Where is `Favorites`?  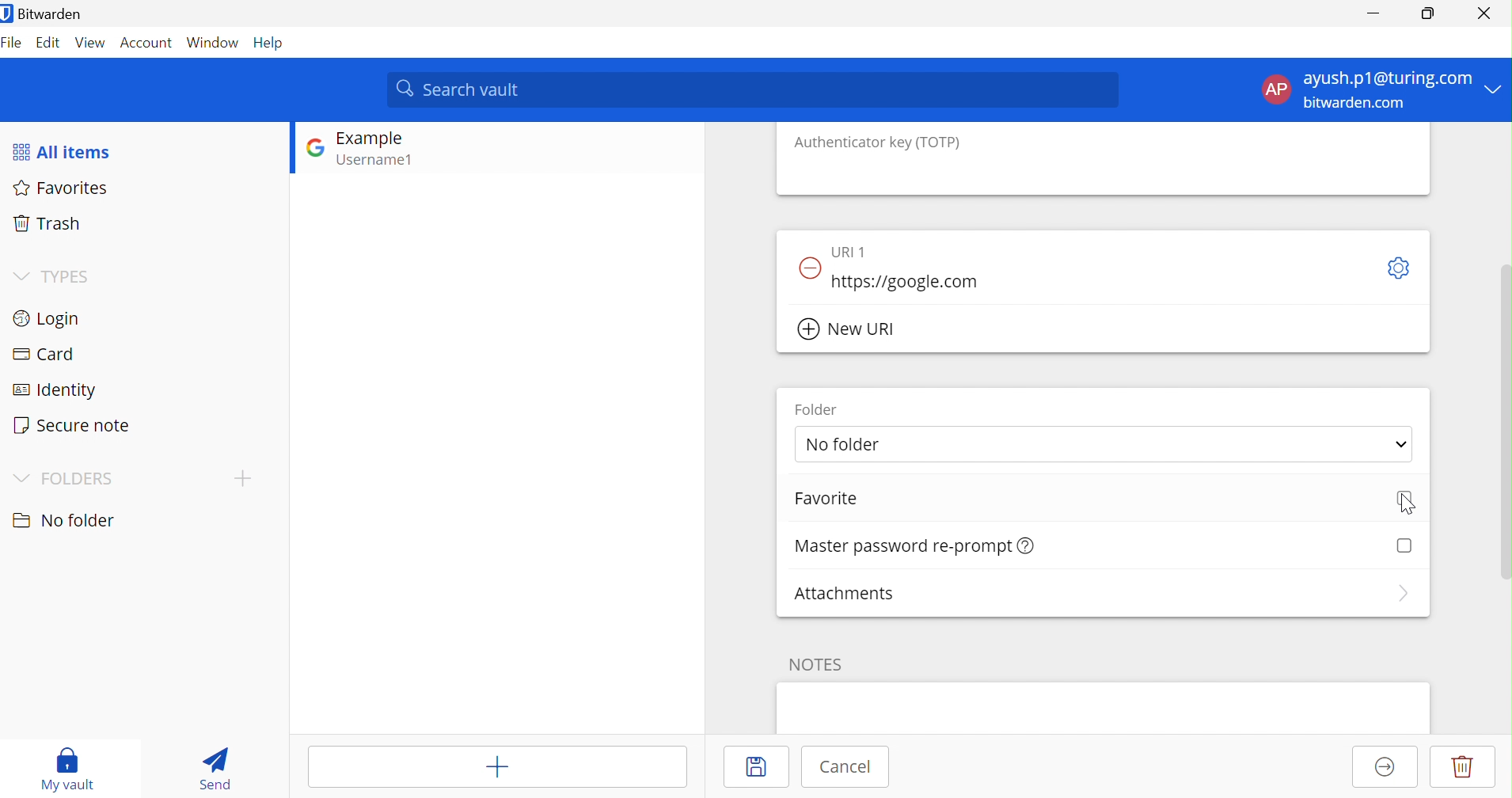 Favorites is located at coordinates (66, 189).